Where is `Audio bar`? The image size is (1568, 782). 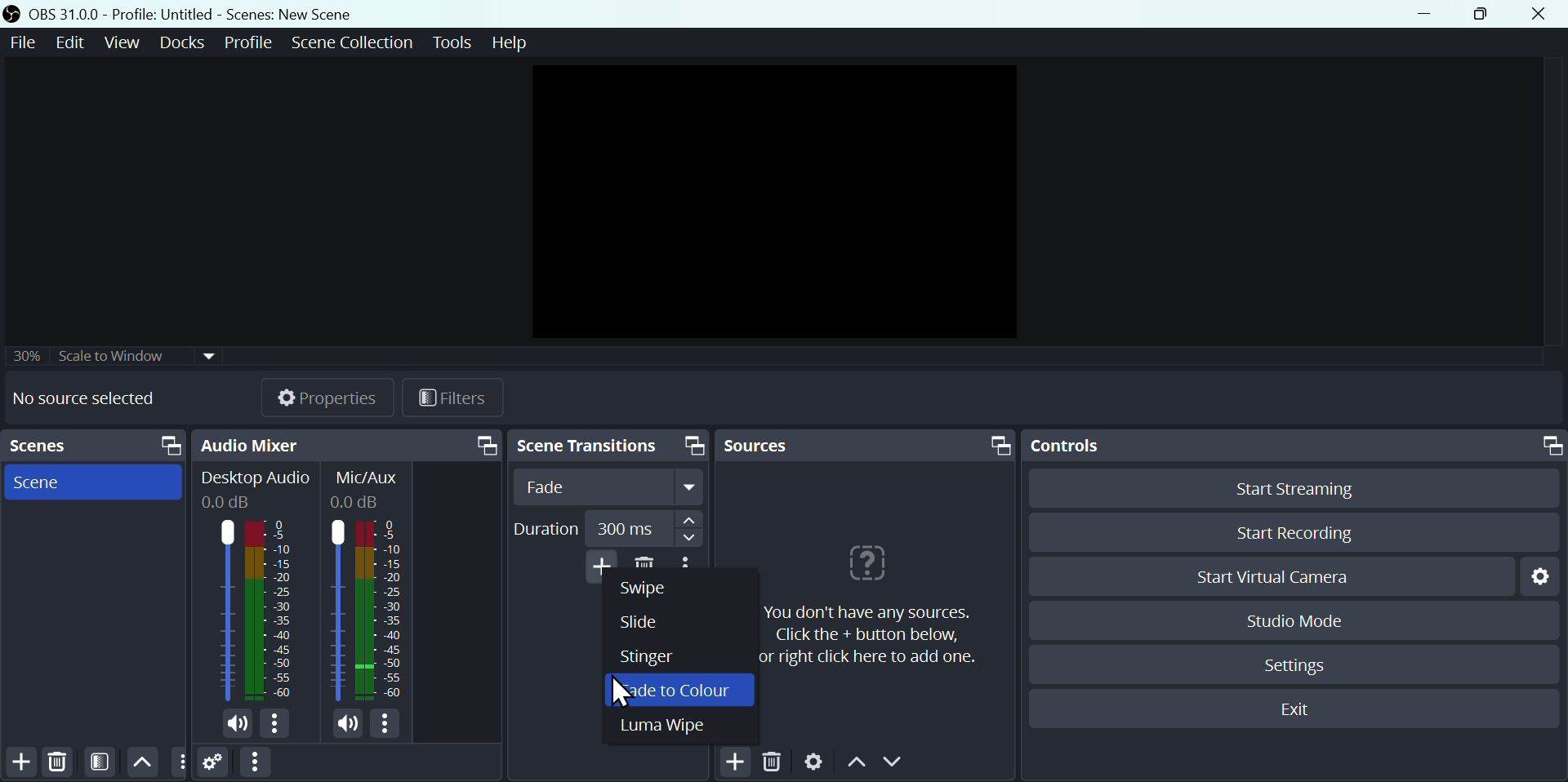
Audio bar is located at coordinates (367, 613).